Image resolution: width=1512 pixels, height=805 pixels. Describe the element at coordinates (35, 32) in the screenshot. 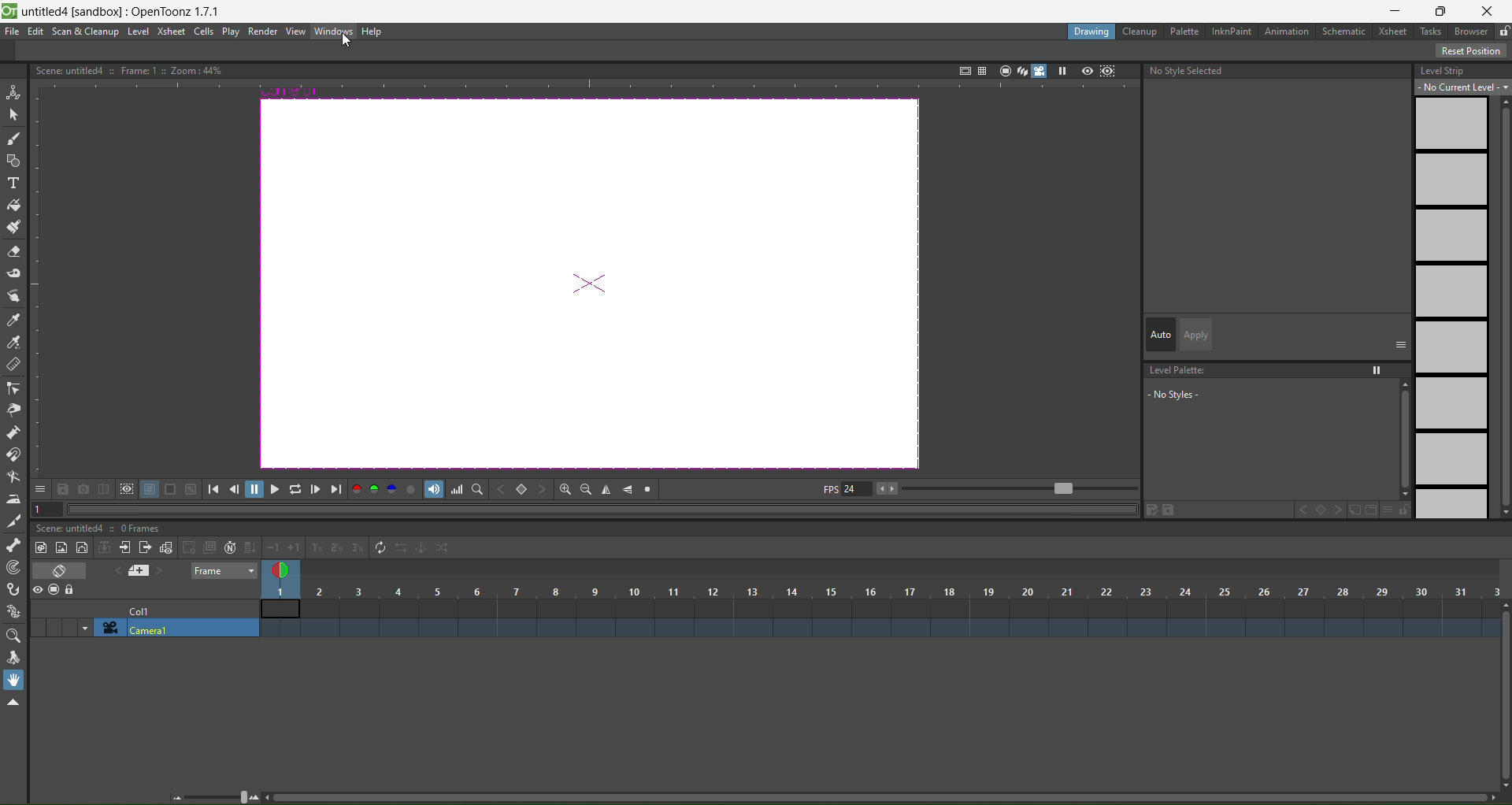

I see `edit` at that location.